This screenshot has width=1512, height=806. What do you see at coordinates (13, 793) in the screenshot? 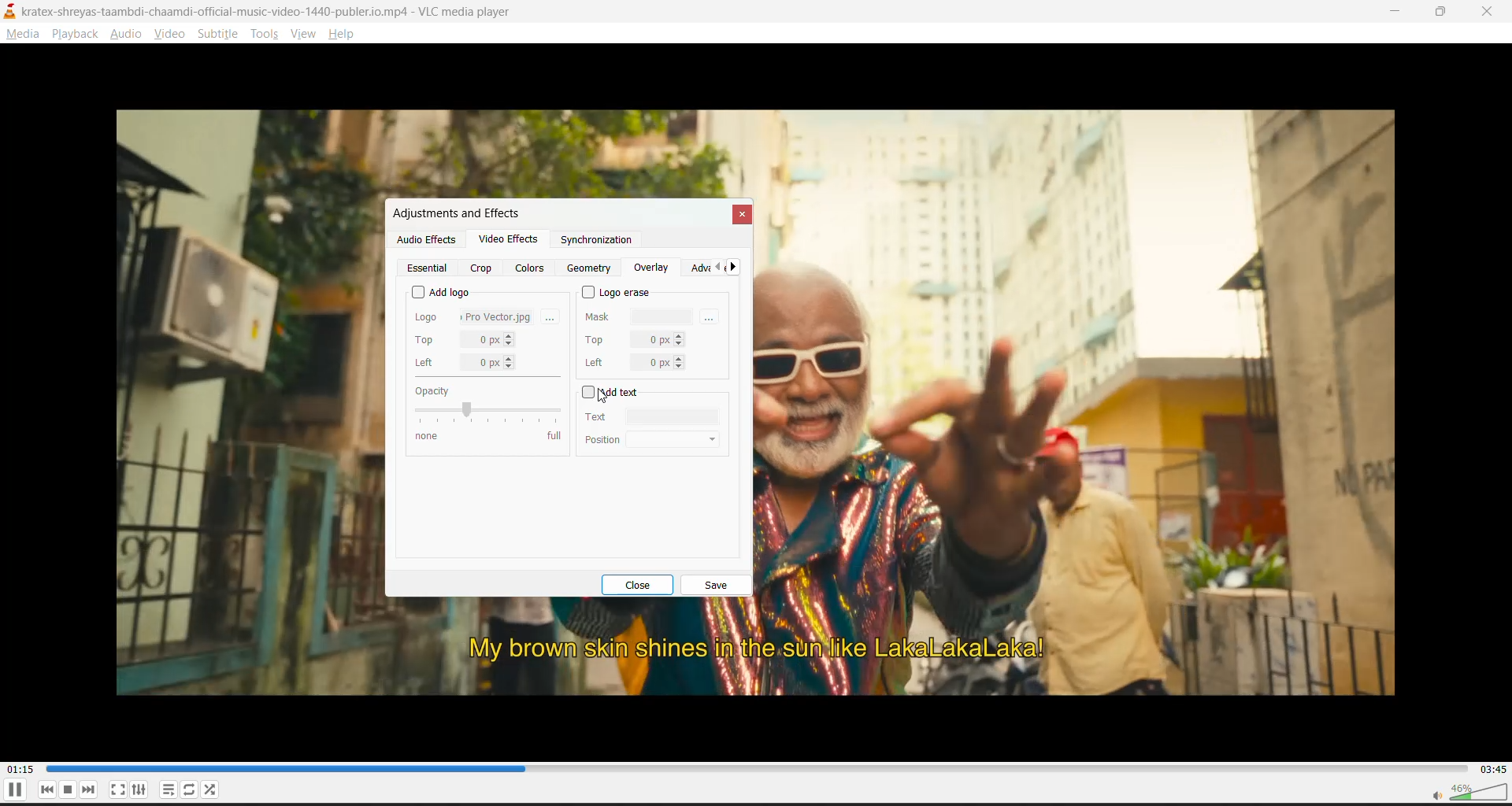
I see `pause` at bounding box center [13, 793].